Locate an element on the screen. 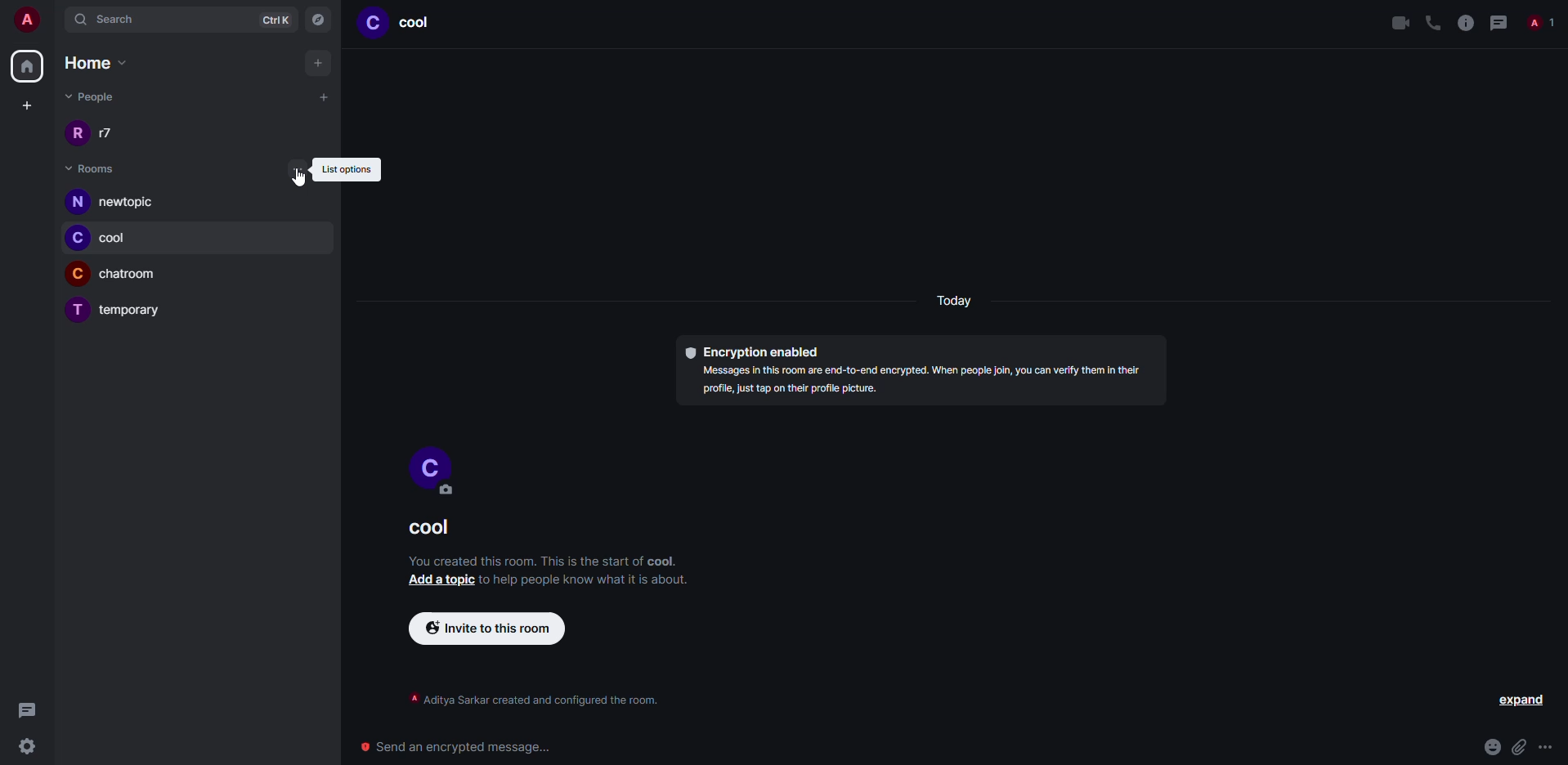 Image resolution: width=1568 pixels, height=765 pixels. info is located at coordinates (543, 560).